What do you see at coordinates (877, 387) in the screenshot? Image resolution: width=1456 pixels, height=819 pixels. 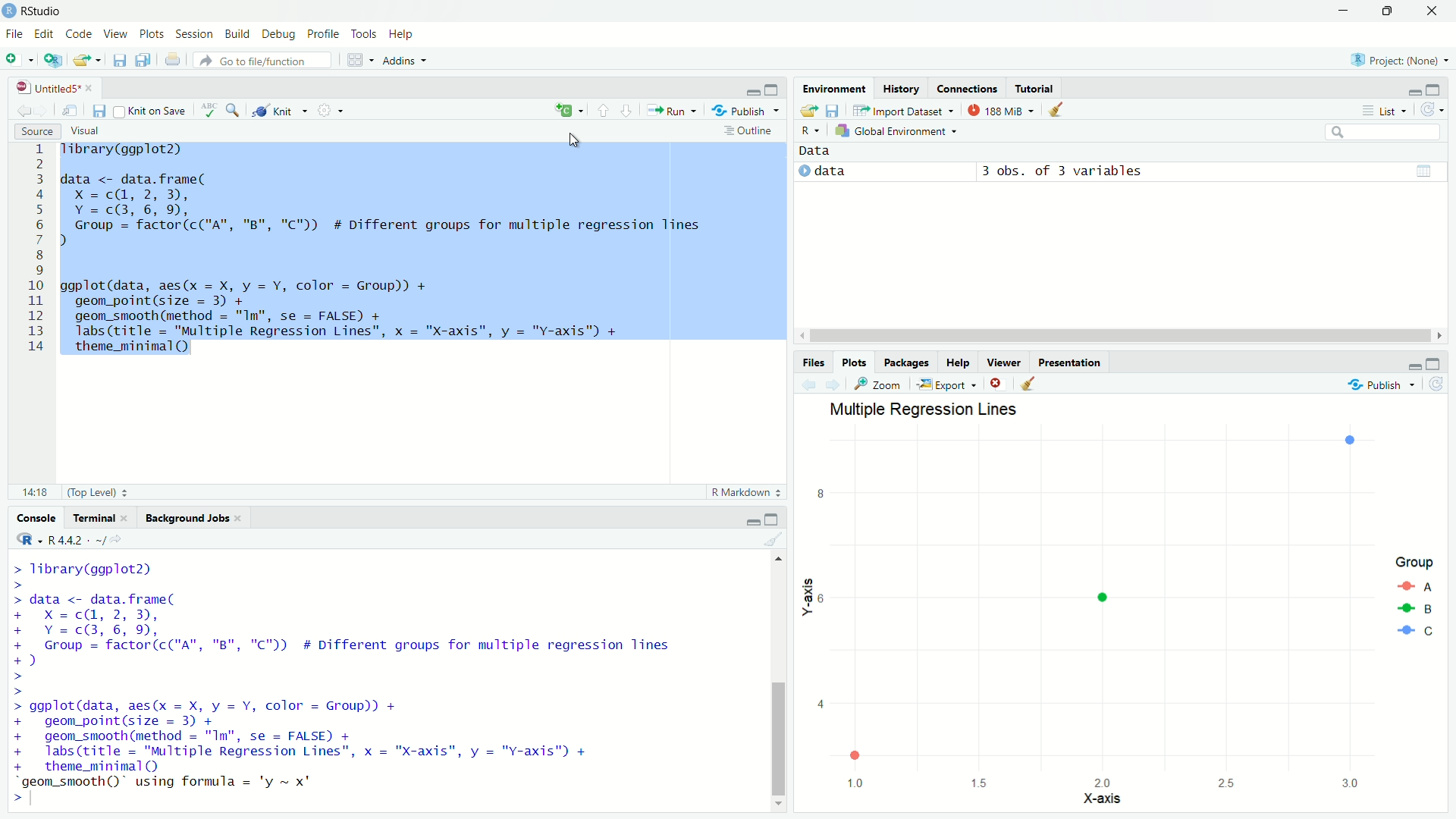 I see `zoom` at bounding box center [877, 387].